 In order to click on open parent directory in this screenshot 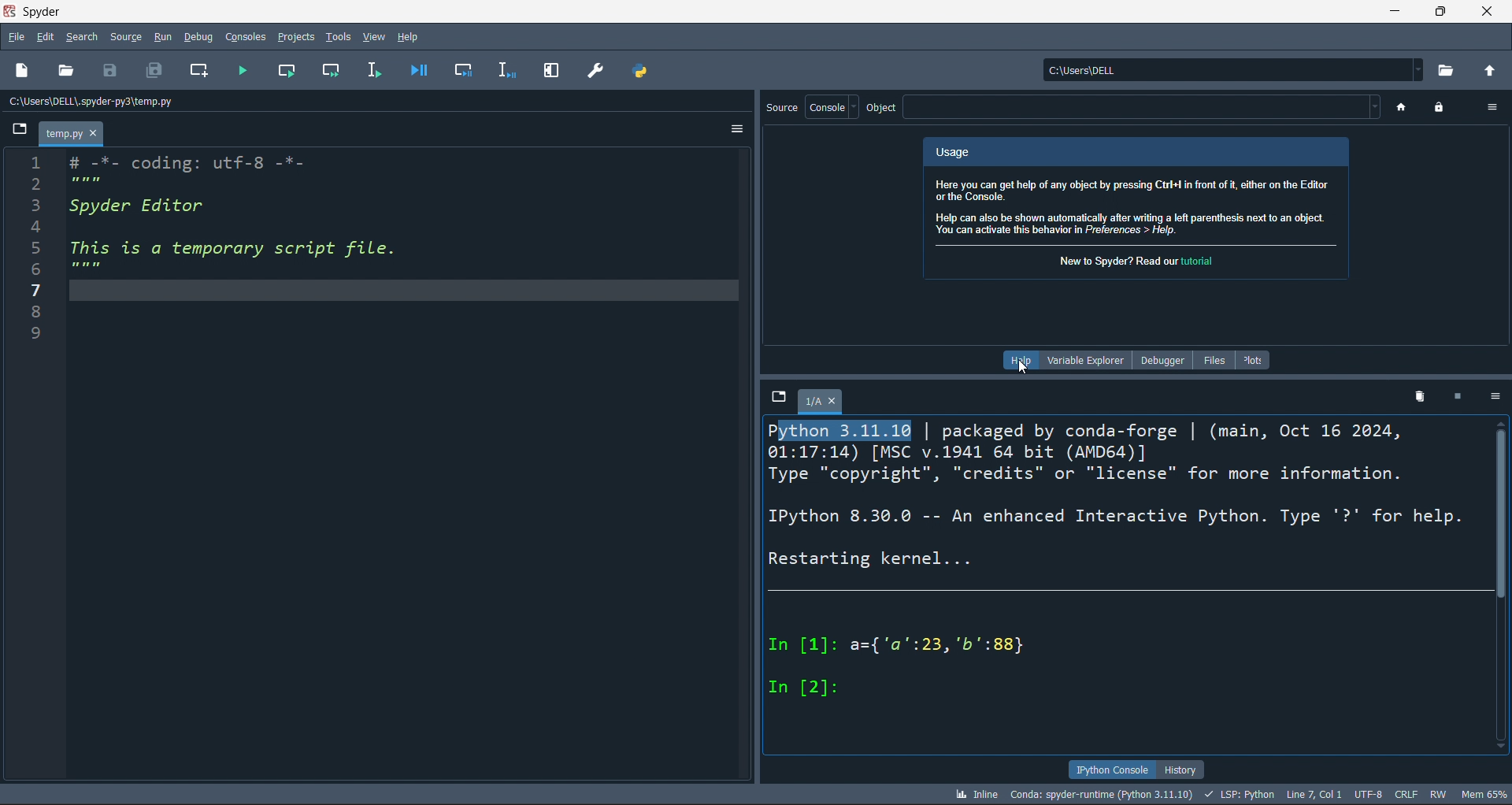, I will do `click(1489, 70)`.